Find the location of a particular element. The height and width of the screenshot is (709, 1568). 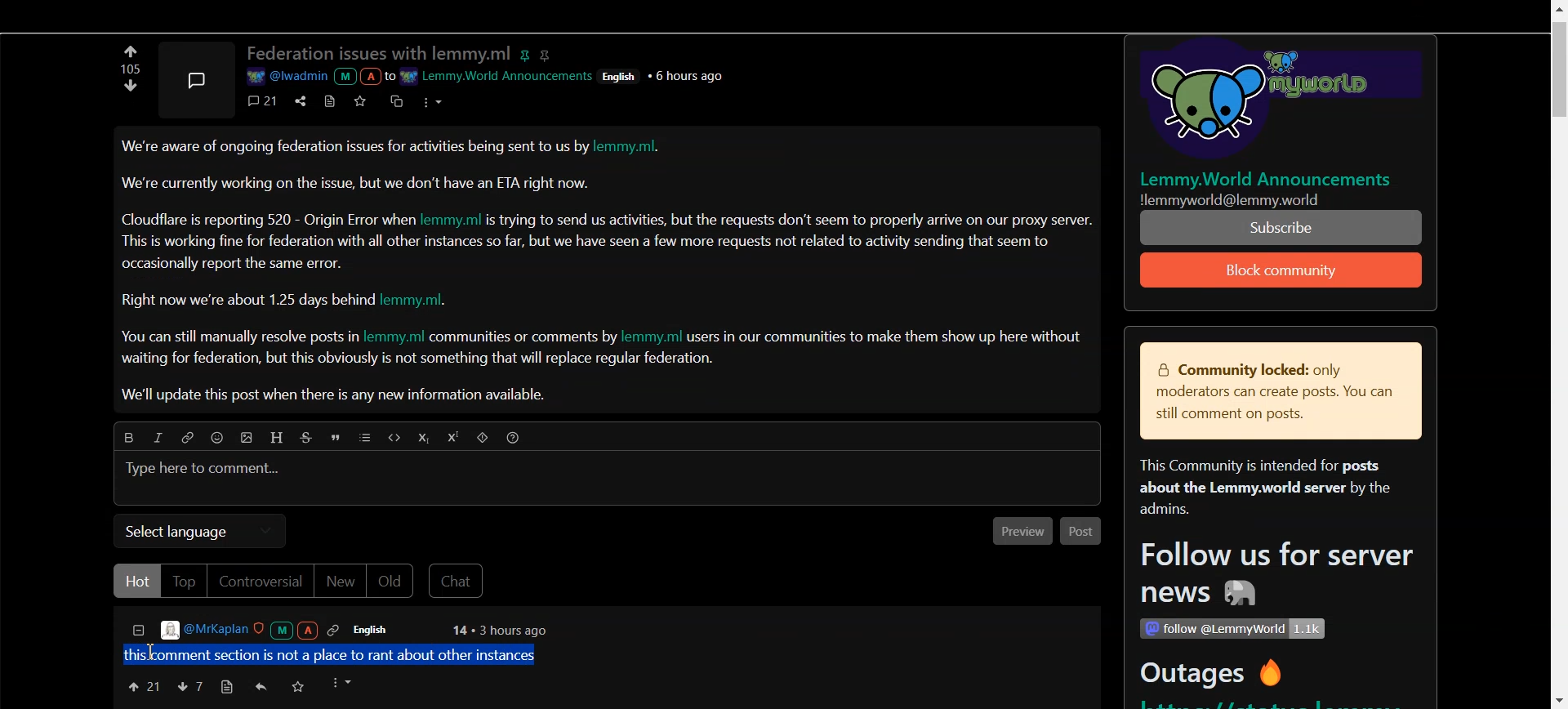

This is working fine for federation with all other instances so far, but we have seen a few more requests not related to activity sending that seem to
occasionally report the same error. is located at coordinates (587, 252).